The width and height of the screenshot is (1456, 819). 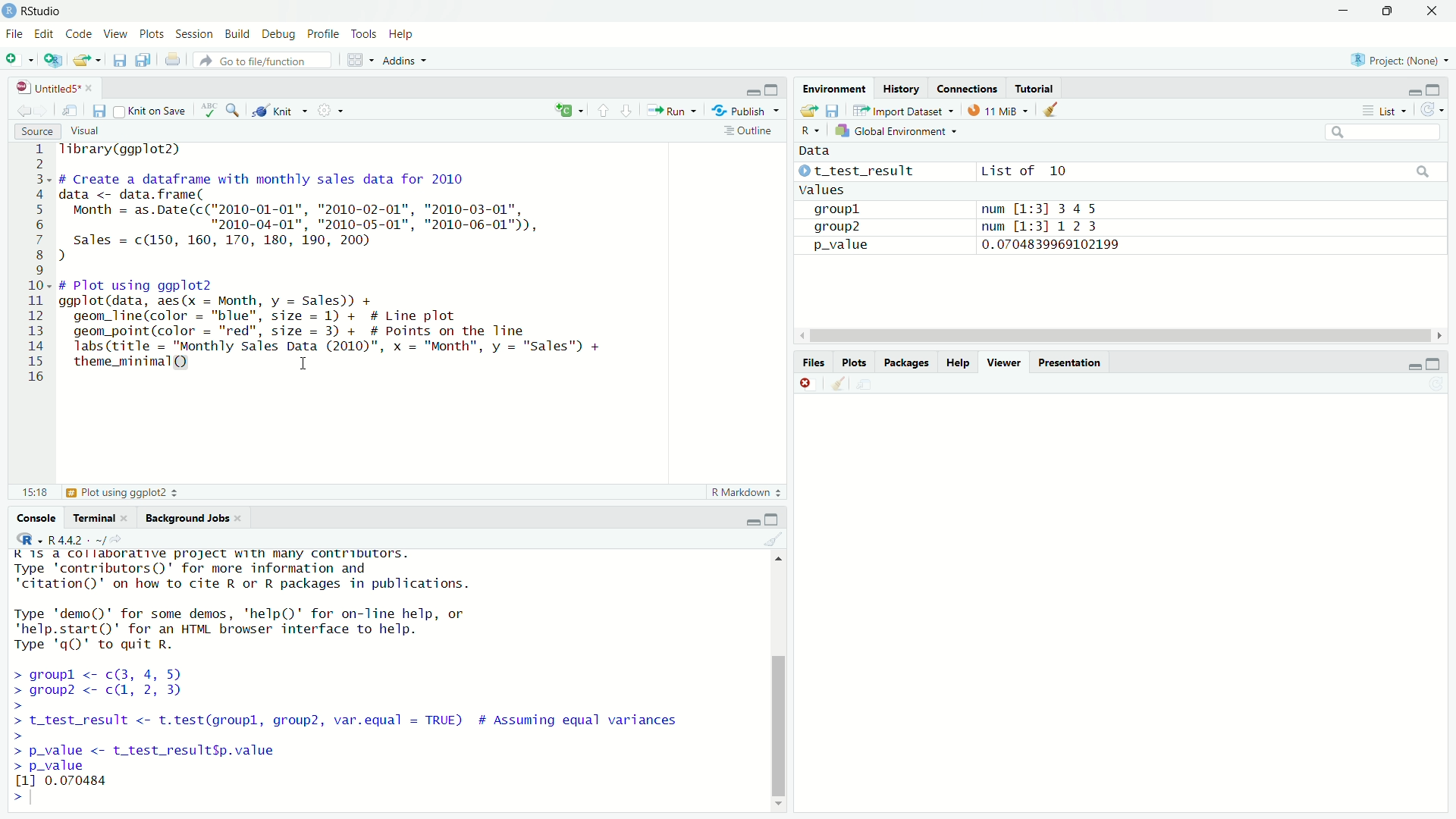 What do you see at coordinates (1378, 130) in the screenshot?
I see `` at bounding box center [1378, 130].